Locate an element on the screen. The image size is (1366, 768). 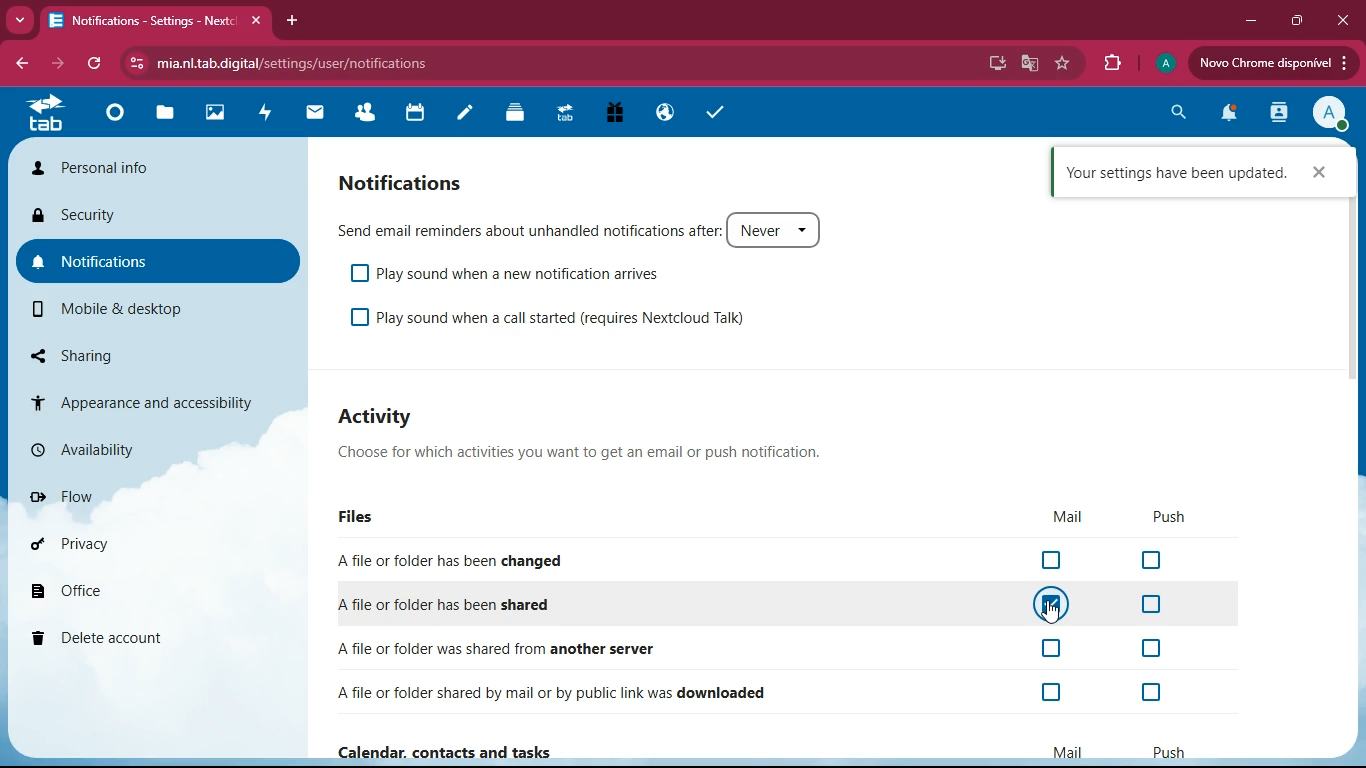
tab is located at coordinates (156, 22).